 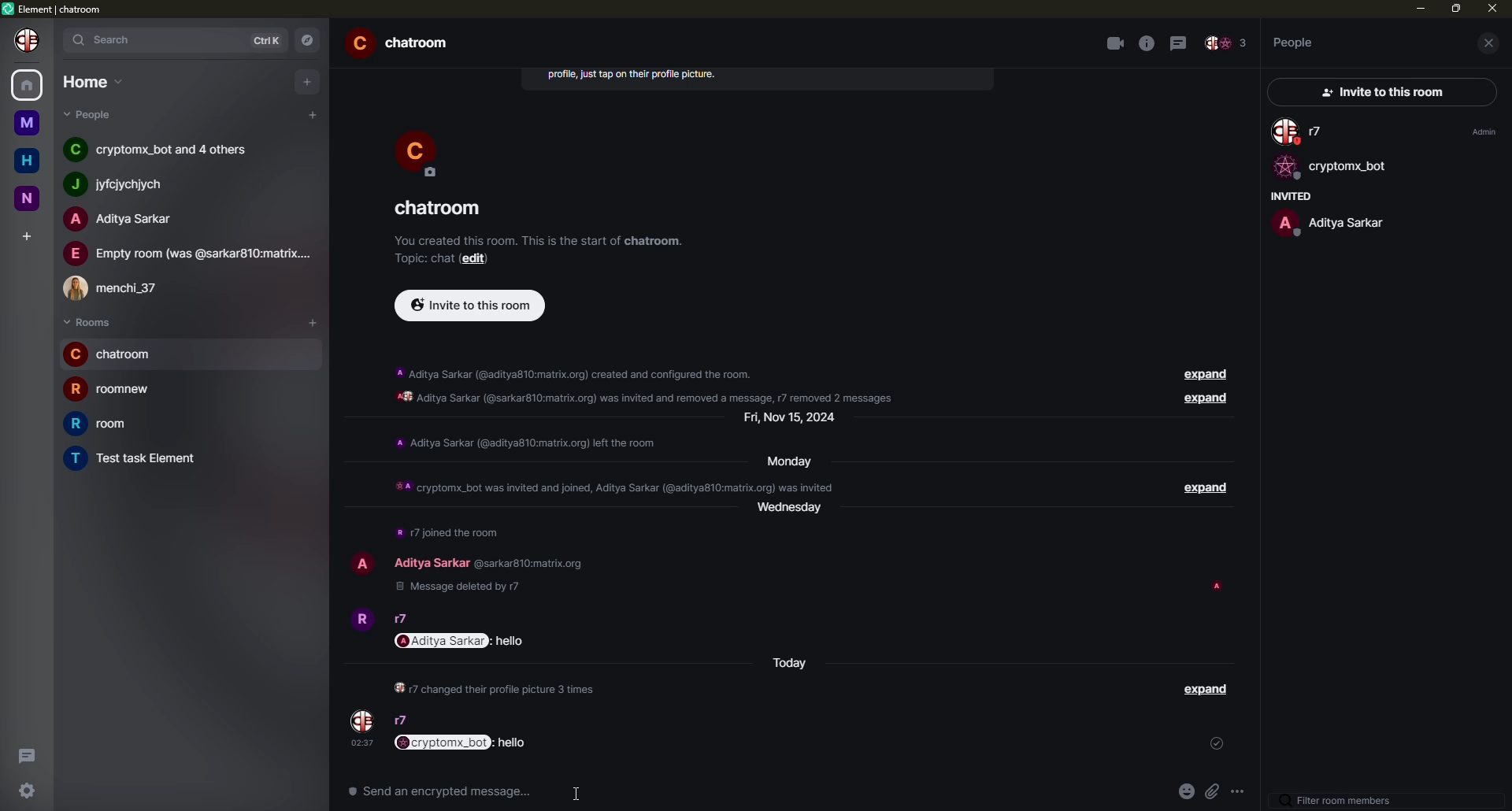 I want to click on add, so click(x=317, y=321).